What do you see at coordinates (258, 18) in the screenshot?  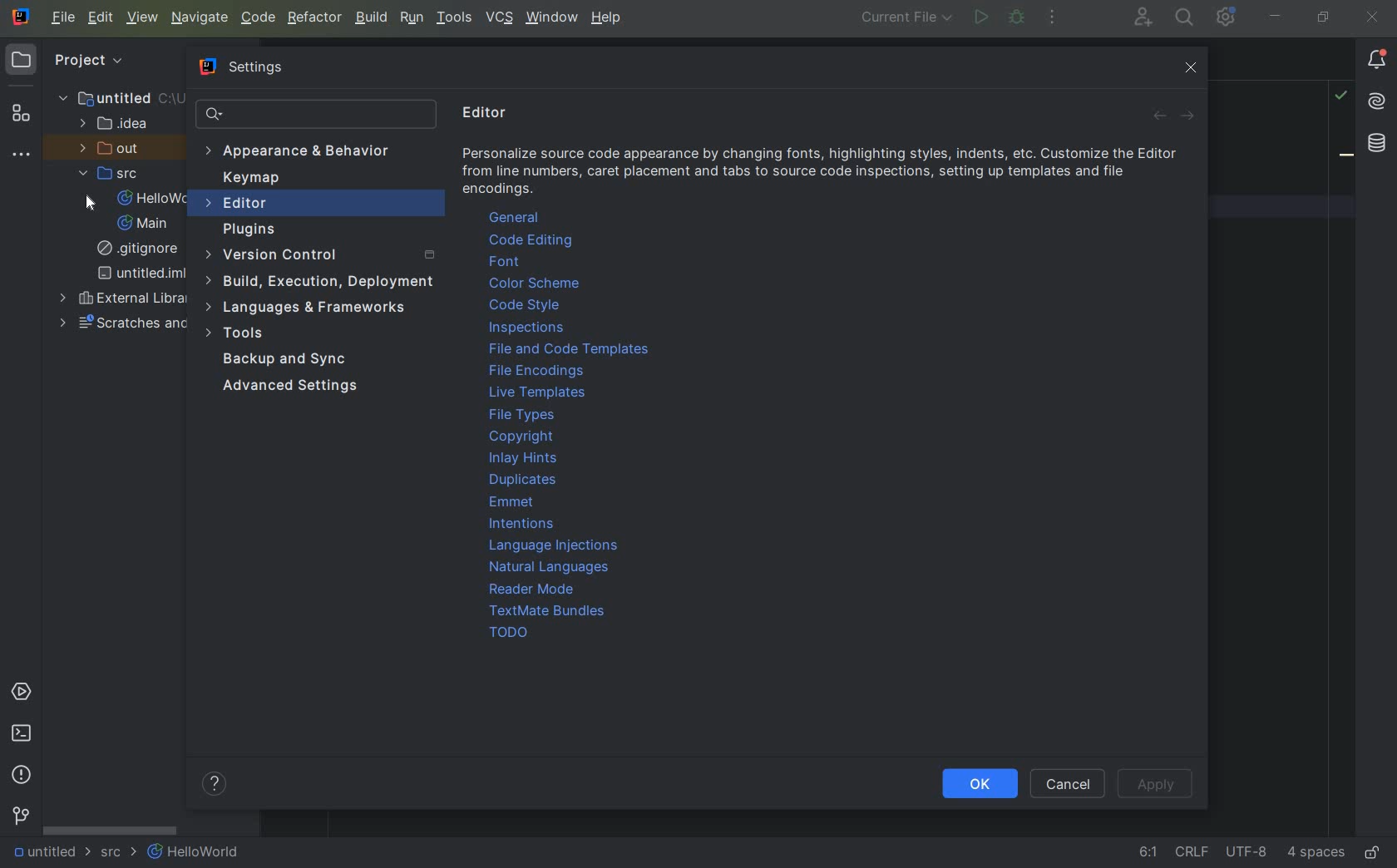 I see `CODE` at bounding box center [258, 18].